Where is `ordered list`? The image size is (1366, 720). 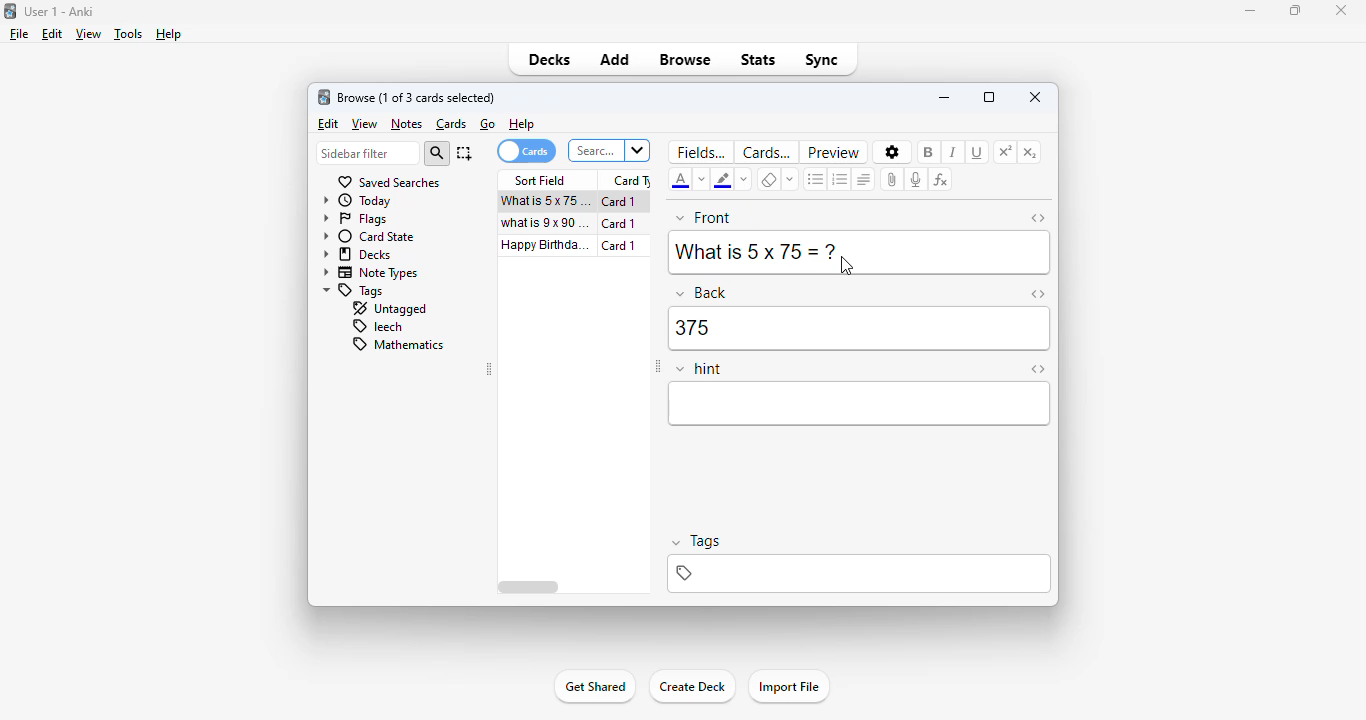
ordered list is located at coordinates (839, 179).